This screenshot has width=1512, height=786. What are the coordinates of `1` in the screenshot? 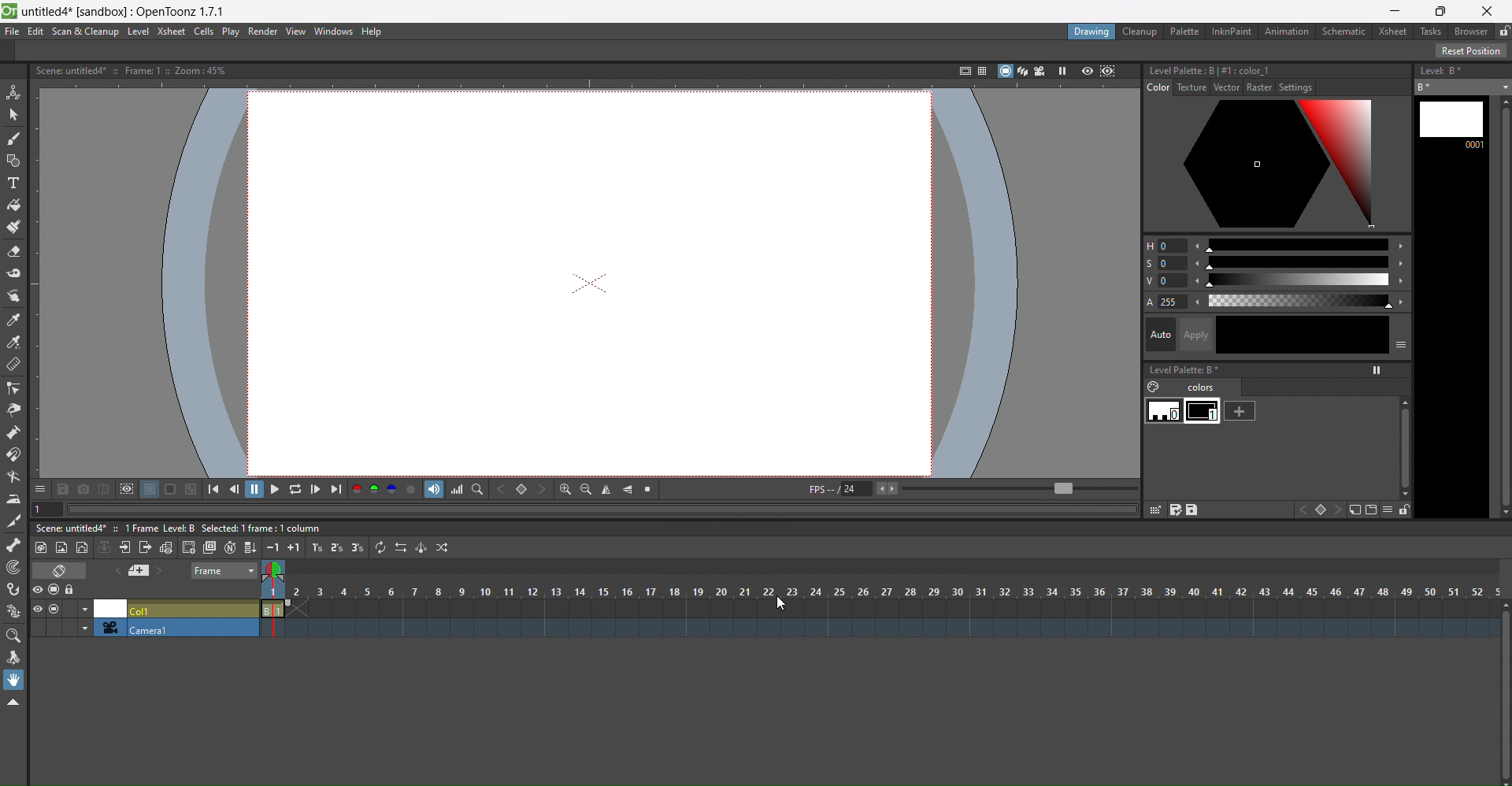 It's located at (1205, 411).